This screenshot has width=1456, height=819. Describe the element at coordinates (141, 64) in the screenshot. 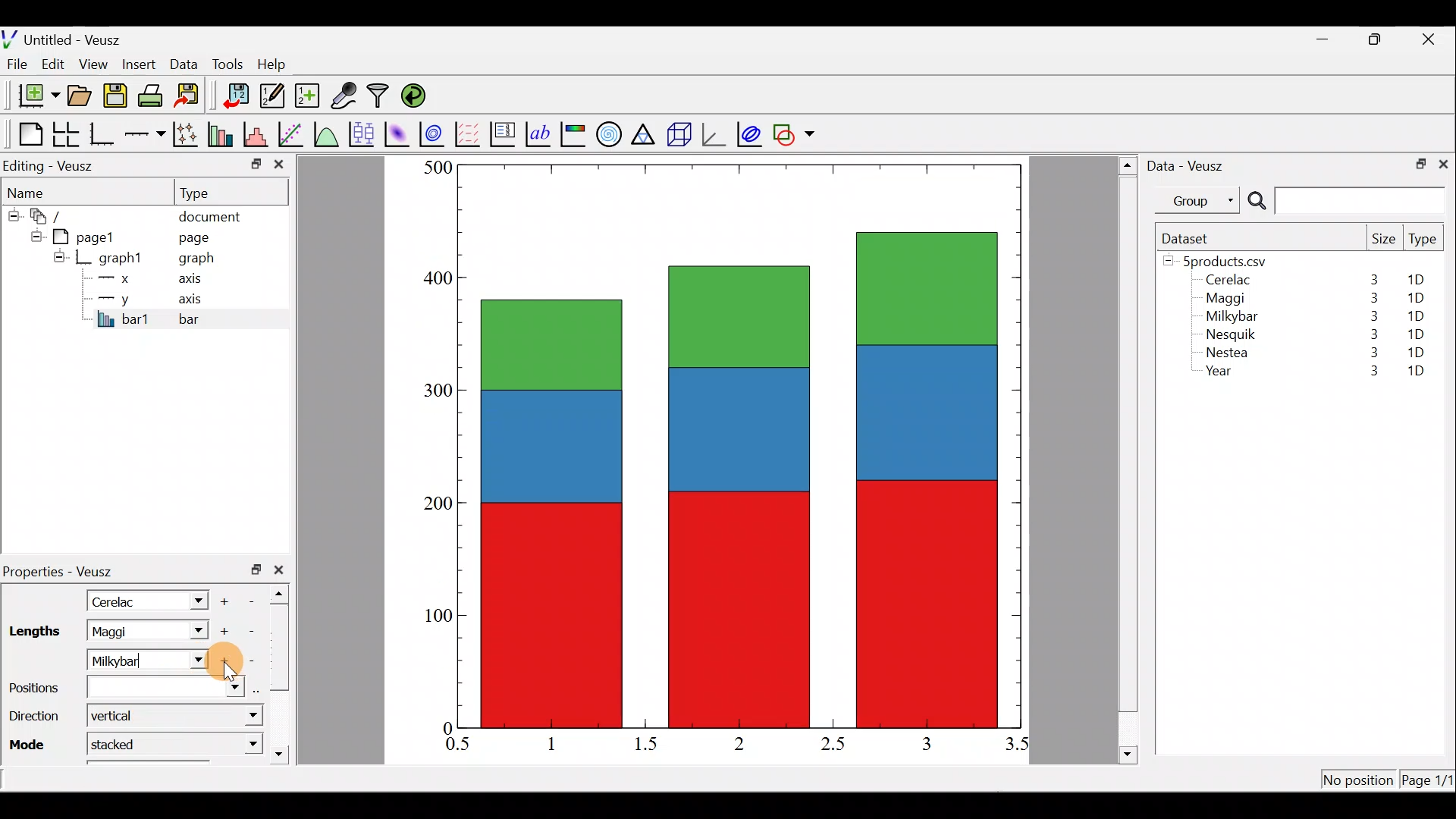

I see `Insert` at that location.